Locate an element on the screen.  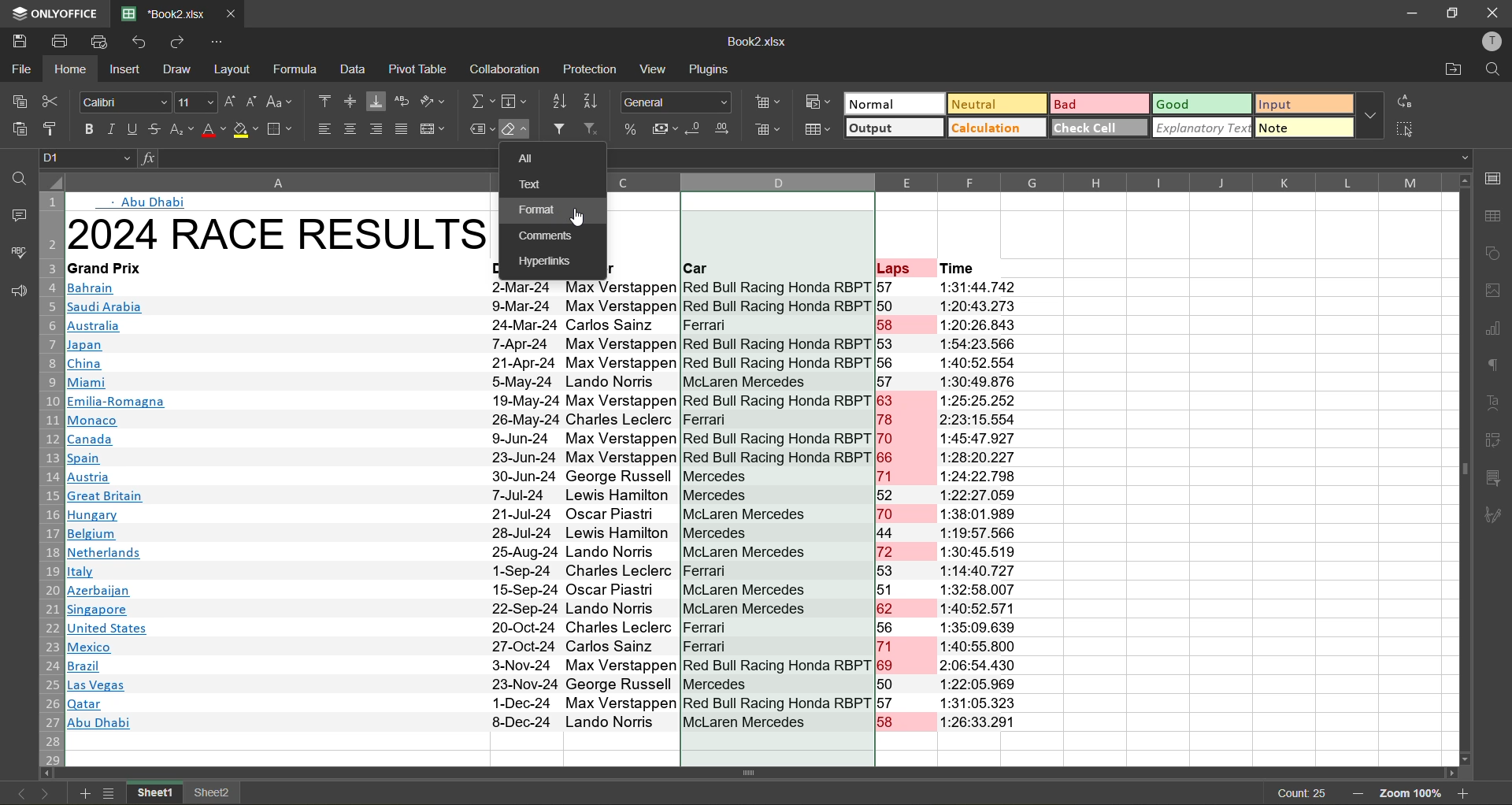
selected column is located at coordinates (776, 207).